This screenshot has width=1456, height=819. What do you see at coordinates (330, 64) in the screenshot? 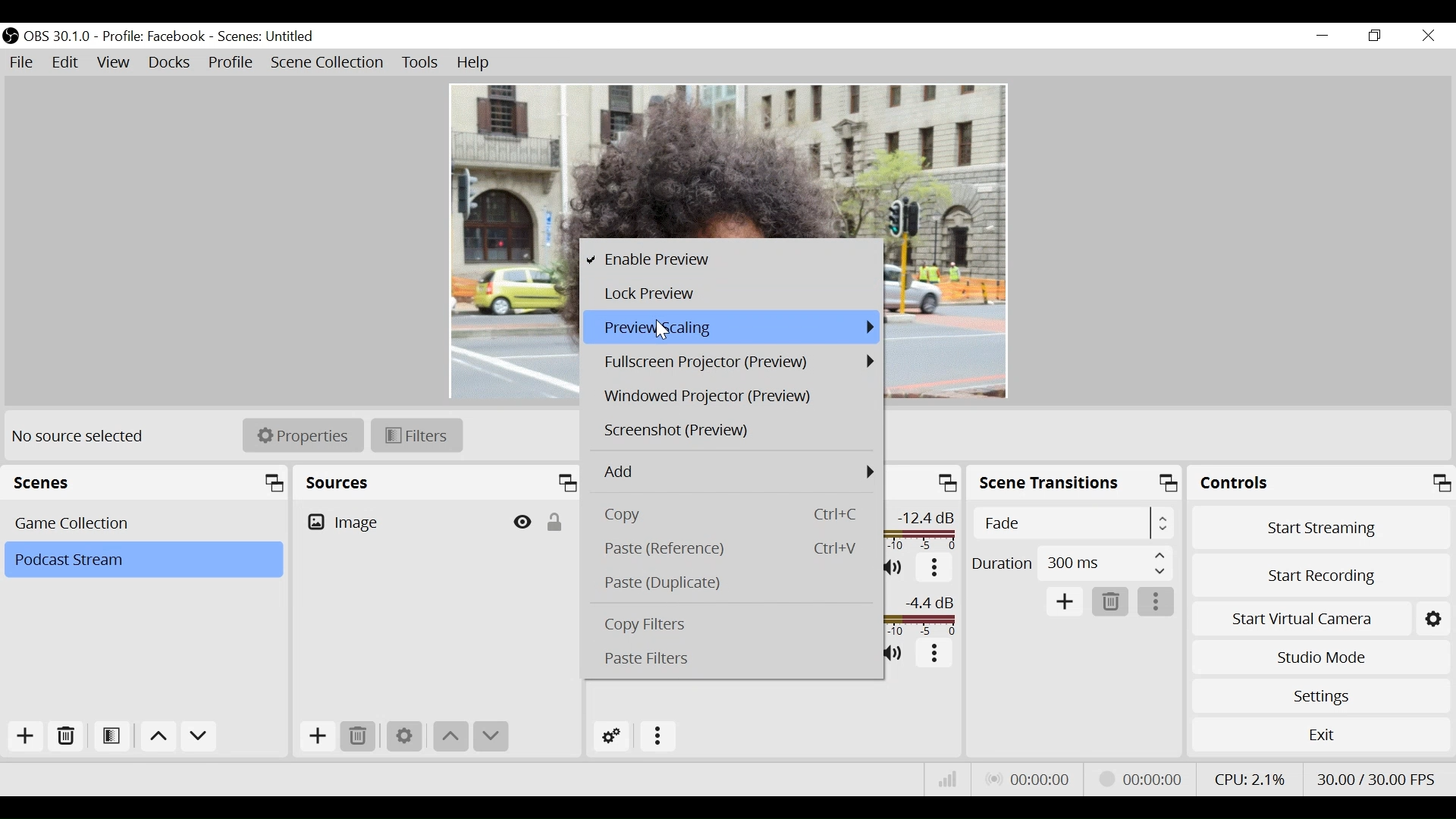
I see `Scene Collection` at bounding box center [330, 64].